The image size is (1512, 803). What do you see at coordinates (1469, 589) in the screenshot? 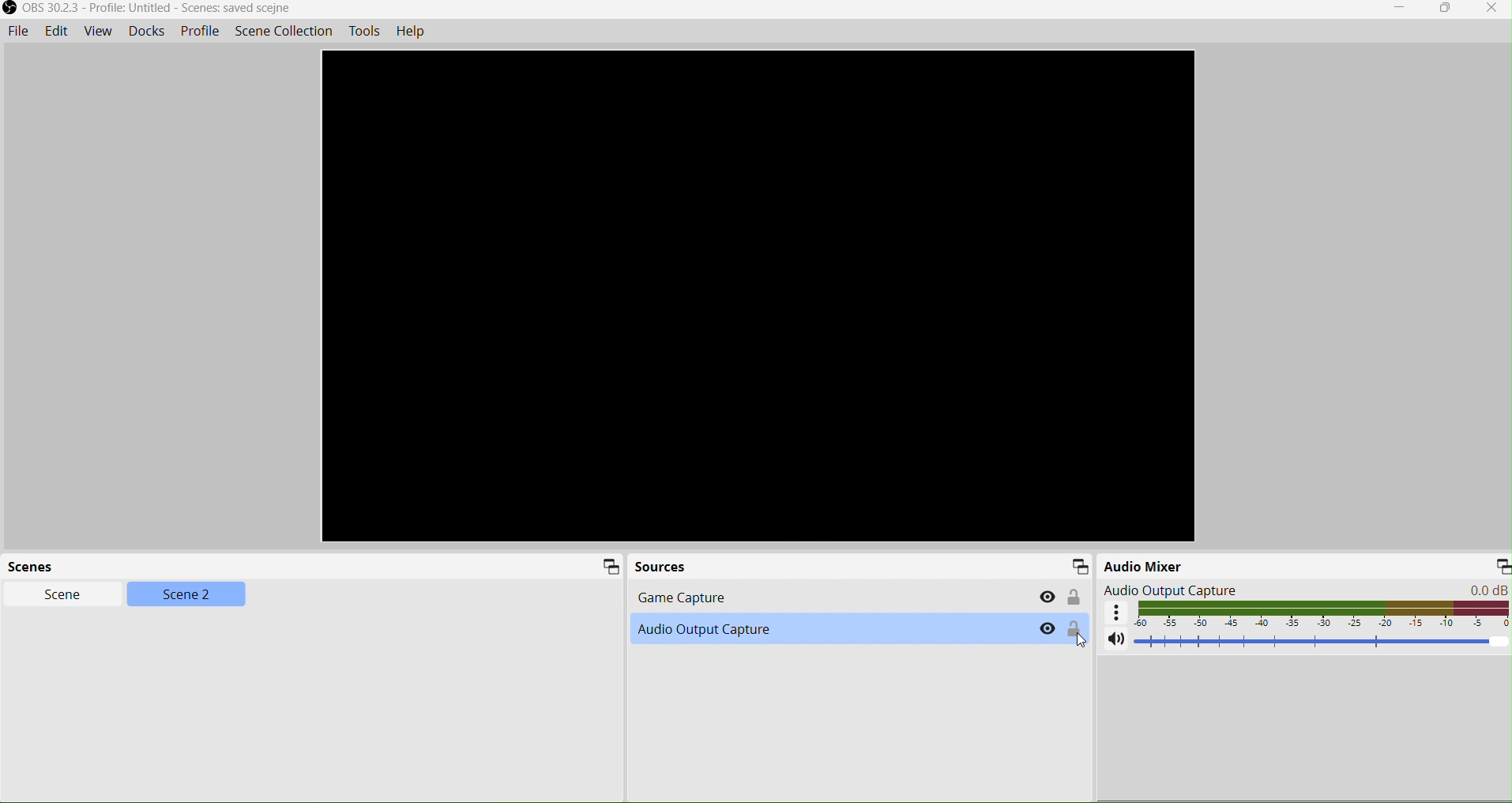
I see `0.0 dB` at bounding box center [1469, 589].